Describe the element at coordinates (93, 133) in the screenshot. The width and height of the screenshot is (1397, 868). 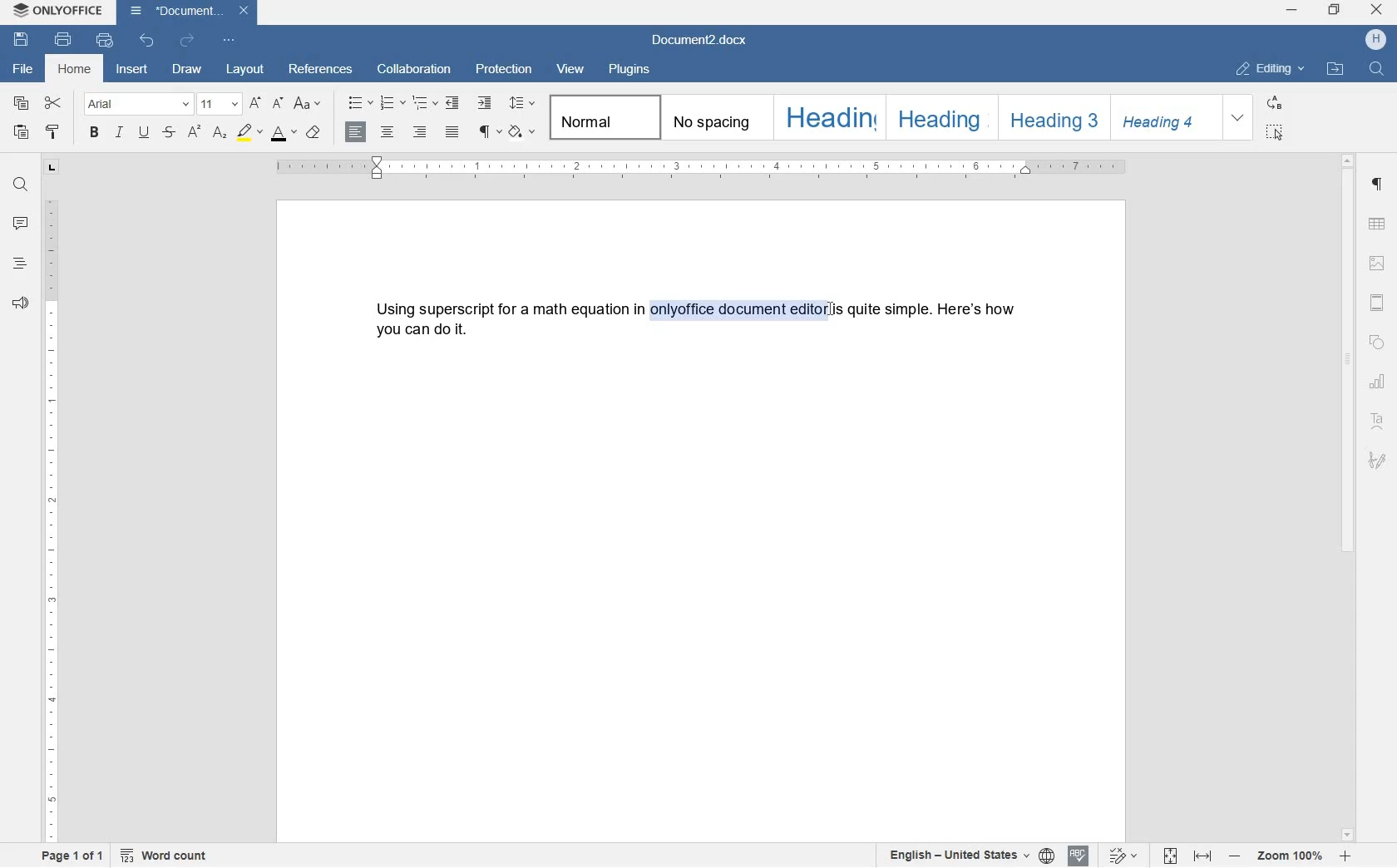
I see `bold` at that location.